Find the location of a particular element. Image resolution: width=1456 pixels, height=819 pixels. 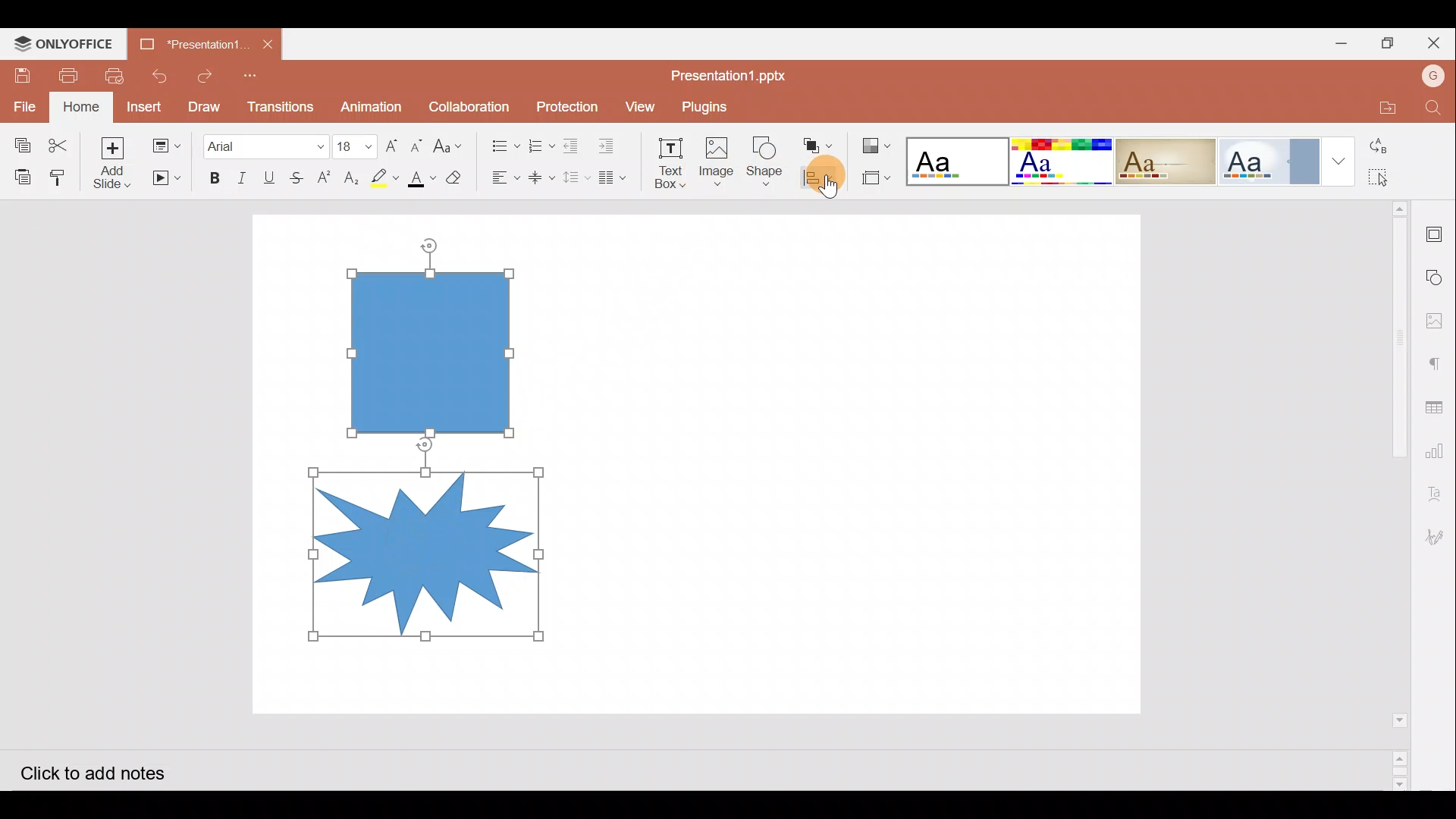

Strikethrough is located at coordinates (300, 175).